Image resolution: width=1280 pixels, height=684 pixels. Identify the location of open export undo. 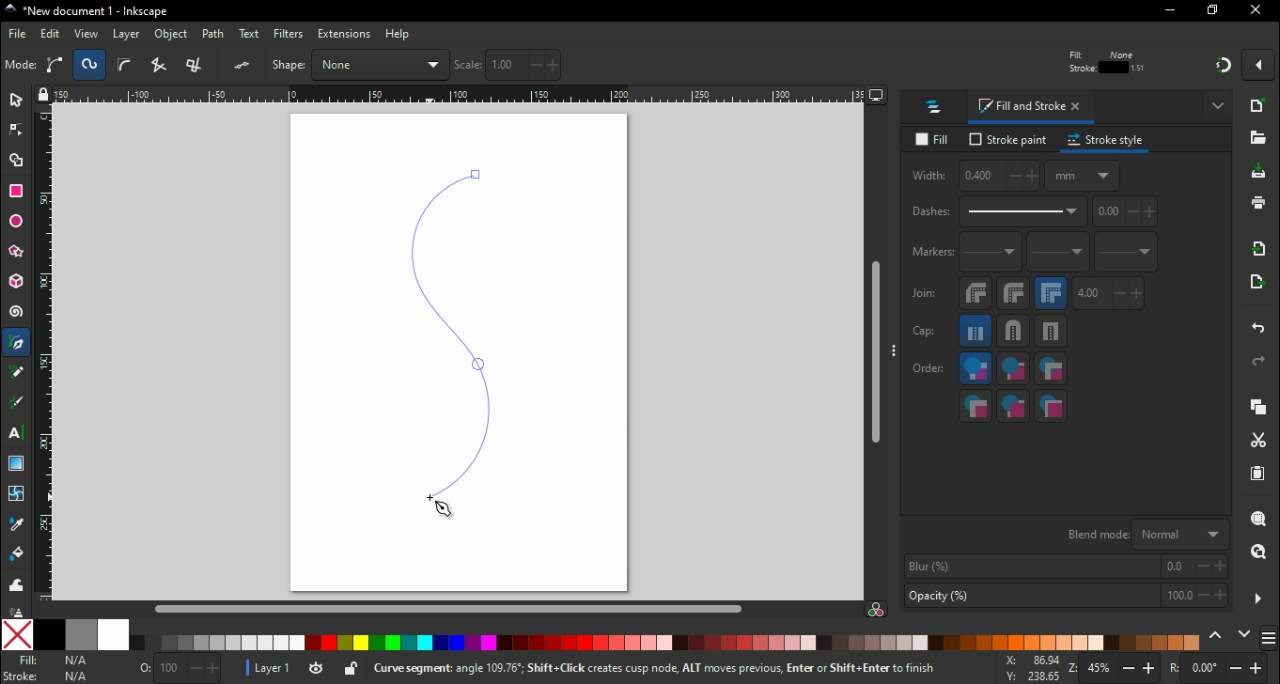
(1258, 287).